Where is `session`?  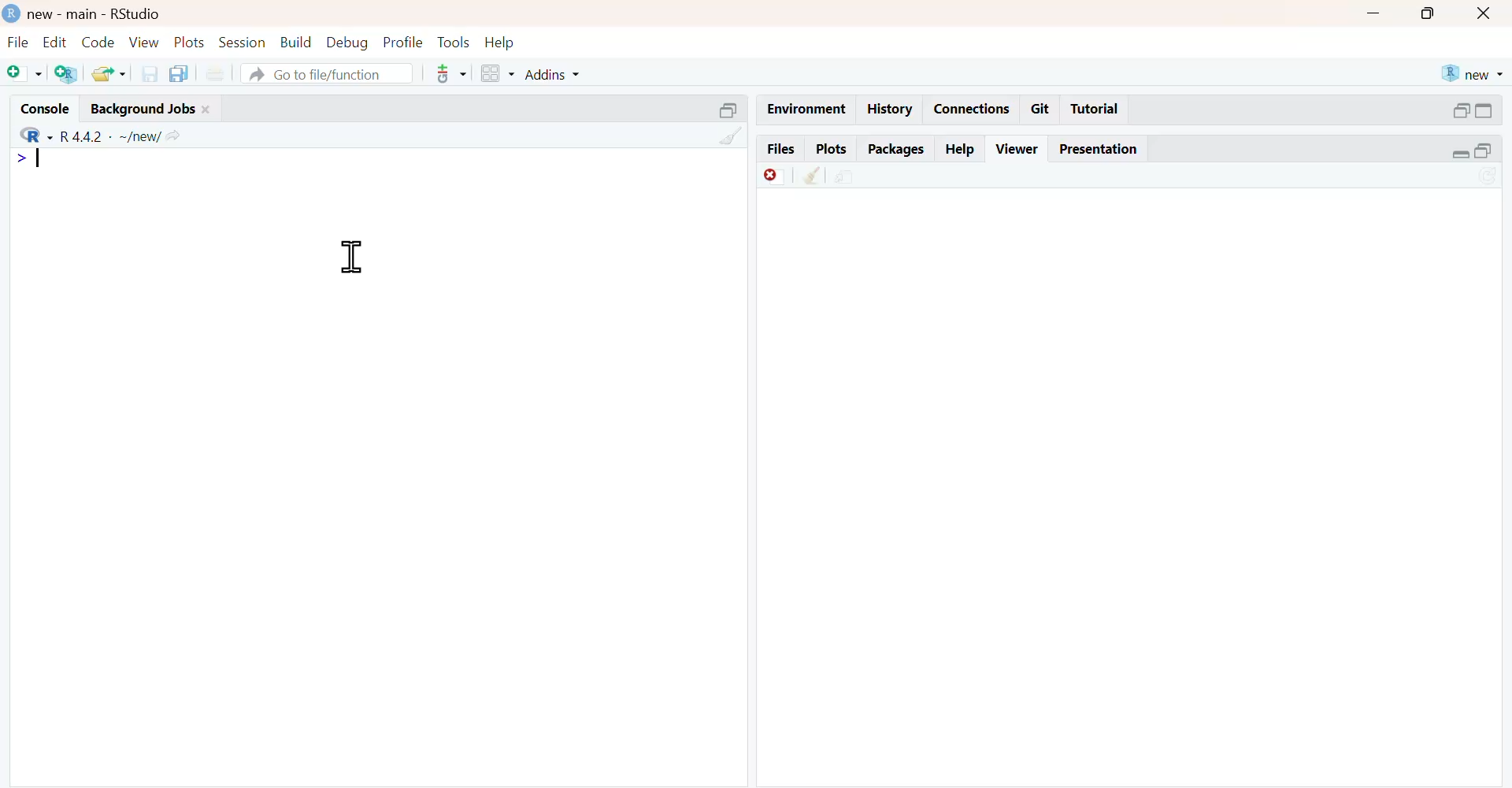
session is located at coordinates (243, 43).